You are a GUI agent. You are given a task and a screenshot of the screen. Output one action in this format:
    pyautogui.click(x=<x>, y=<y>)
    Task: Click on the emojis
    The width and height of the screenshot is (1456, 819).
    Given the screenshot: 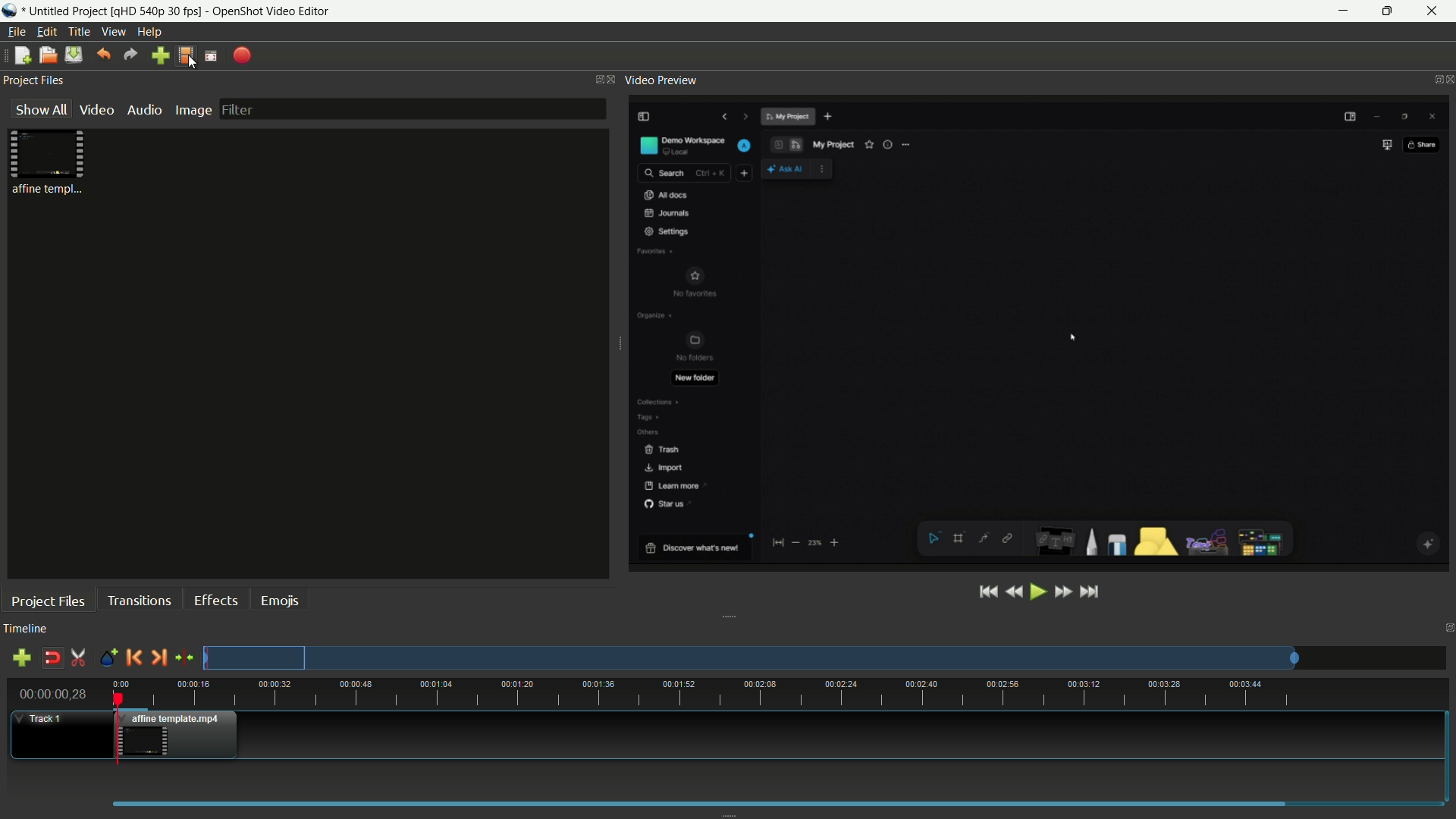 What is the action you would take?
    pyautogui.click(x=280, y=601)
    